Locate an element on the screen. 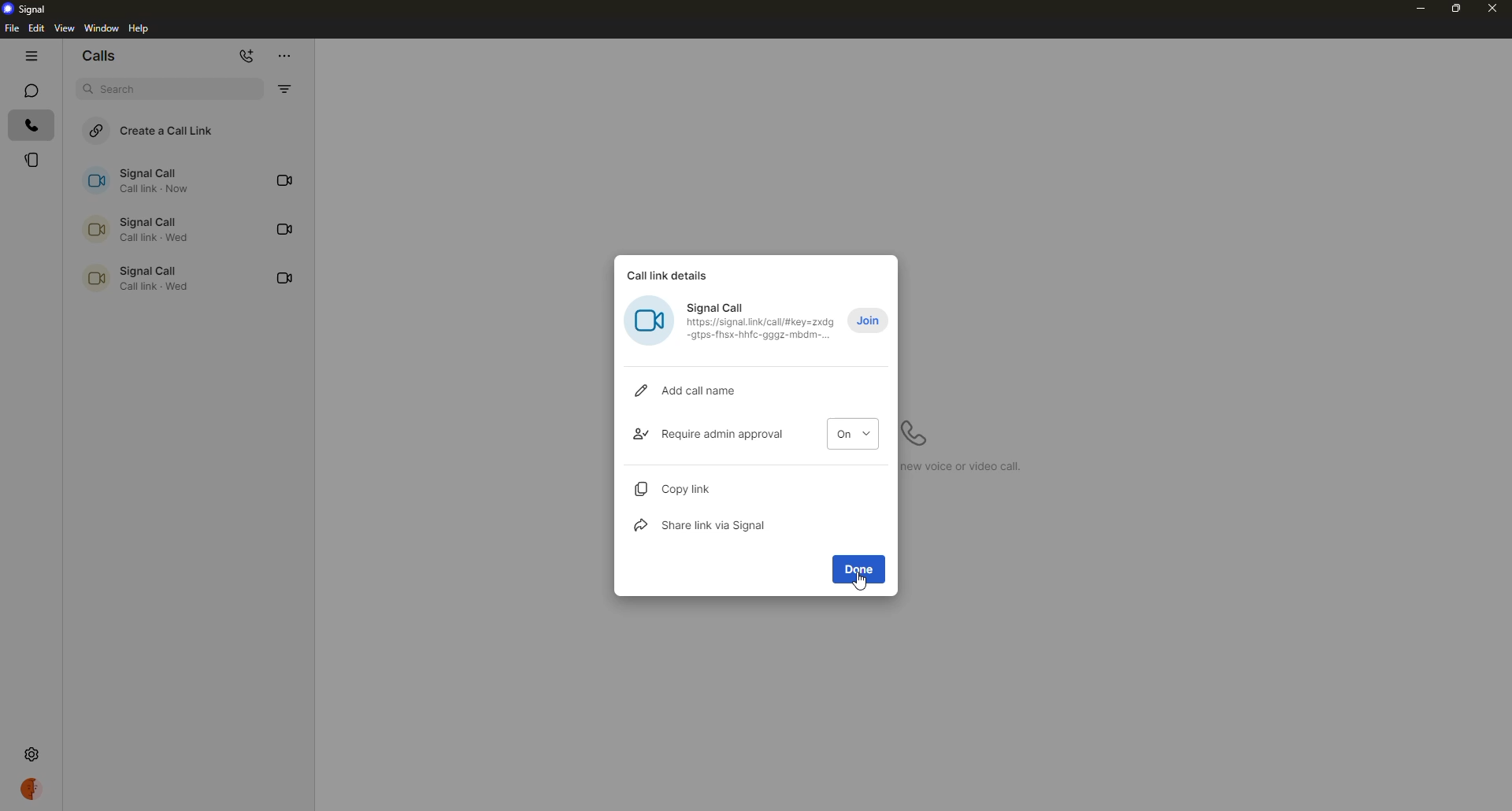 Image resolution: width=1512 pixels, height=811 pixels. start a voice call is located at coordinates (914, 433).